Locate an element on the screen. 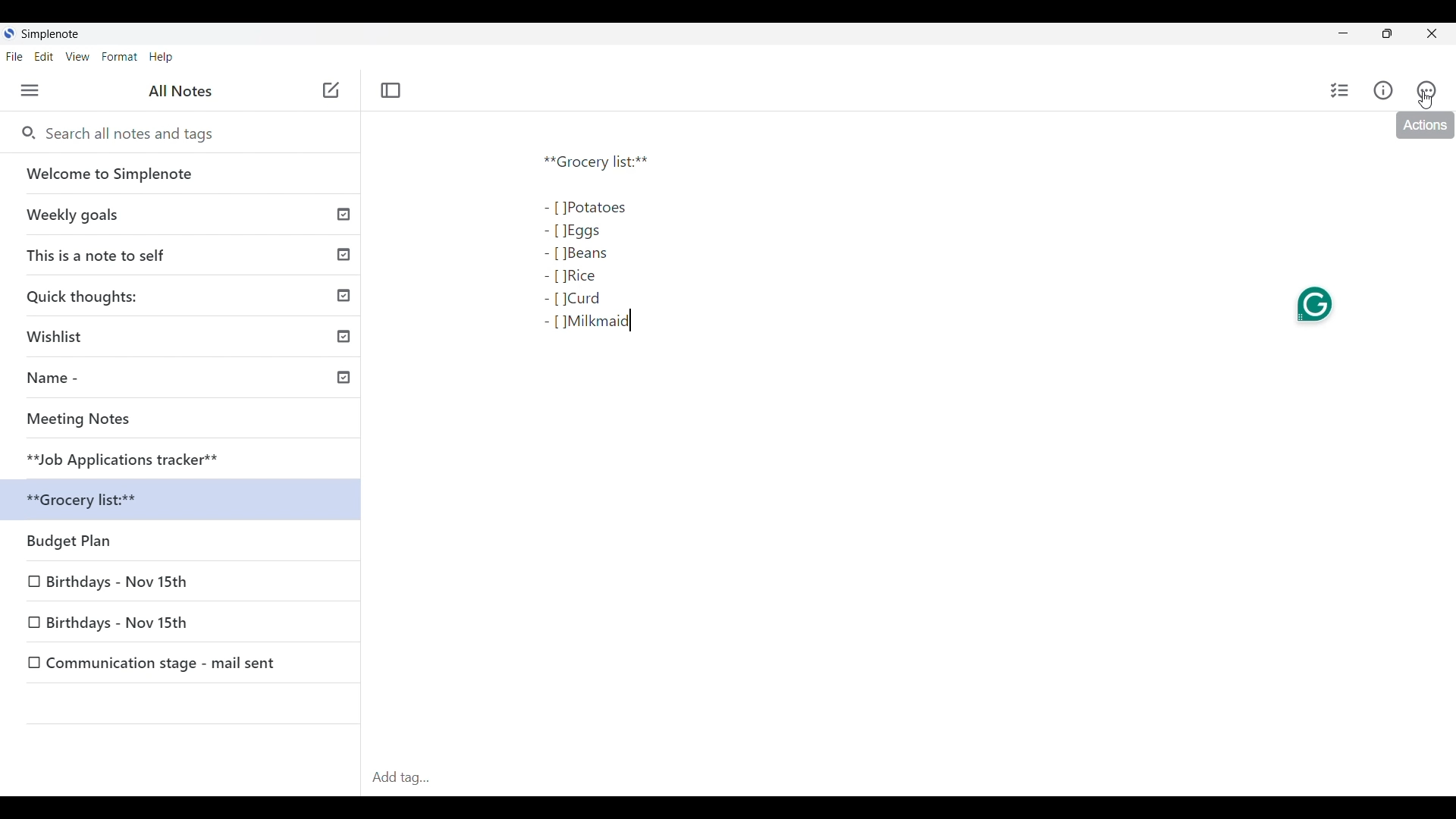 The height and width of the screenshot is (819, 1456). File is located at coordinates (14, 56).